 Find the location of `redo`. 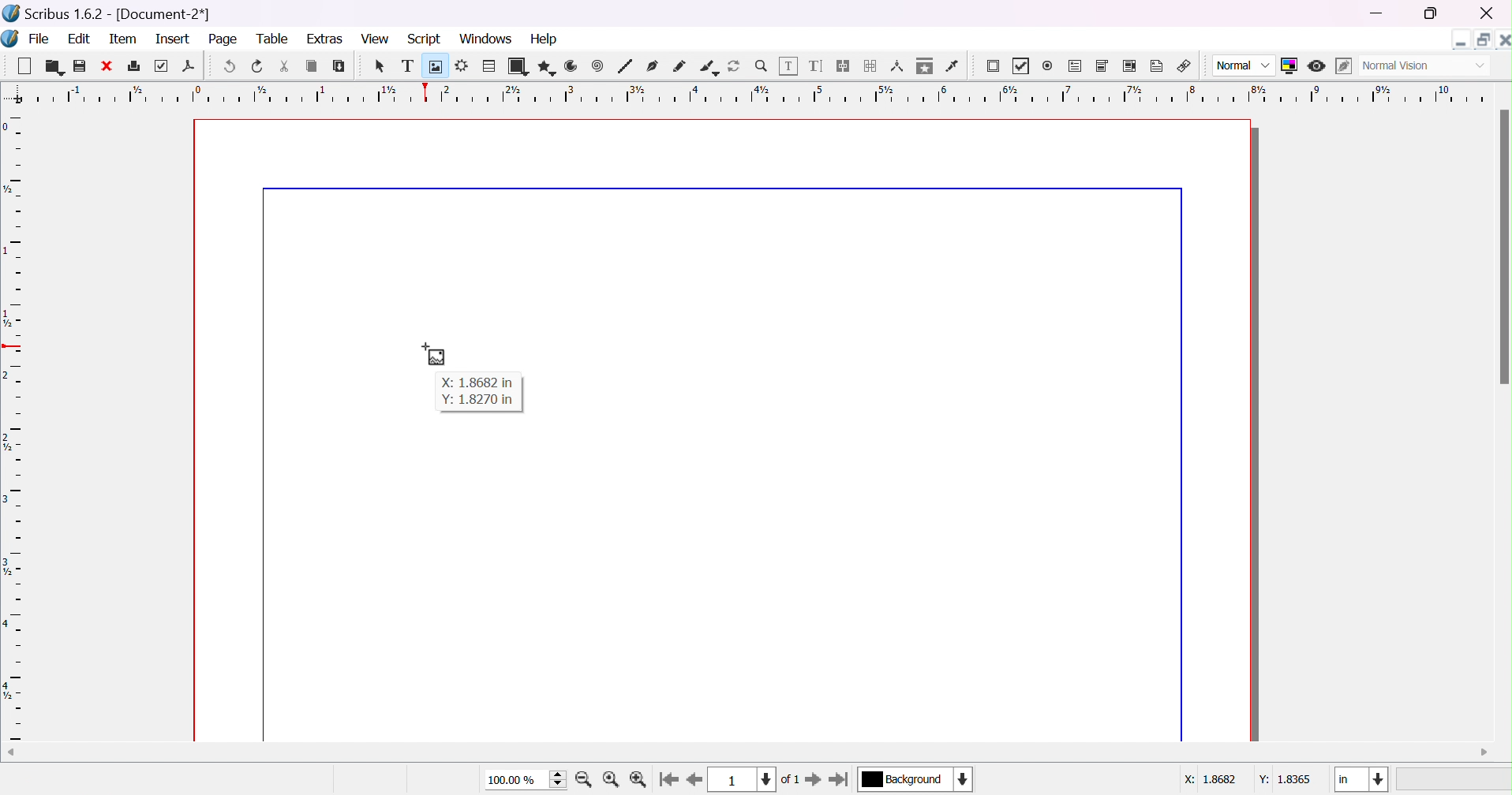

redo is located at coordinates (258, 66).